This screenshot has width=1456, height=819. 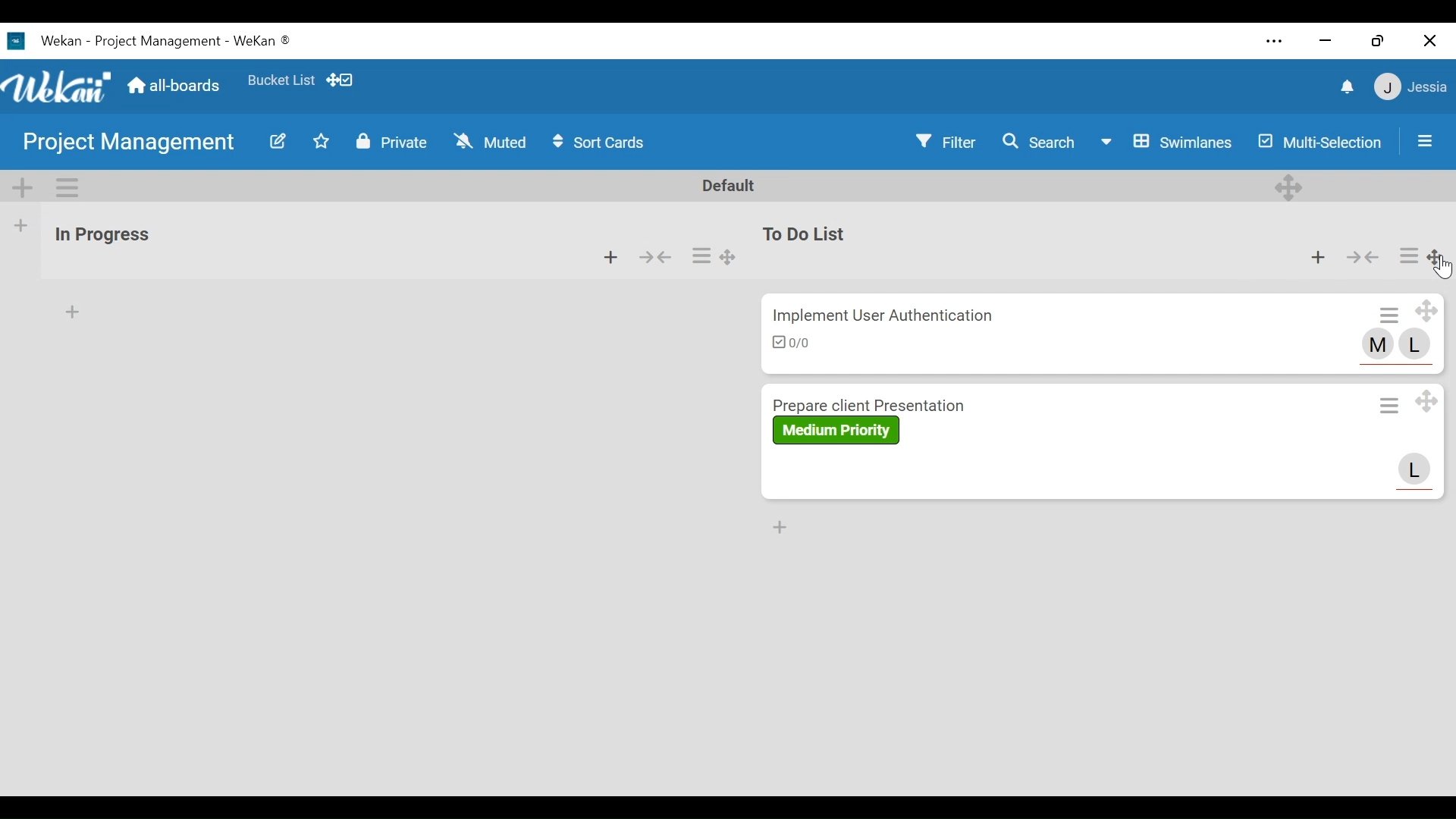 What do you see at coordinates (493, 142) in the screenshot?
I see `Muted` at bounding box center [493, 142].